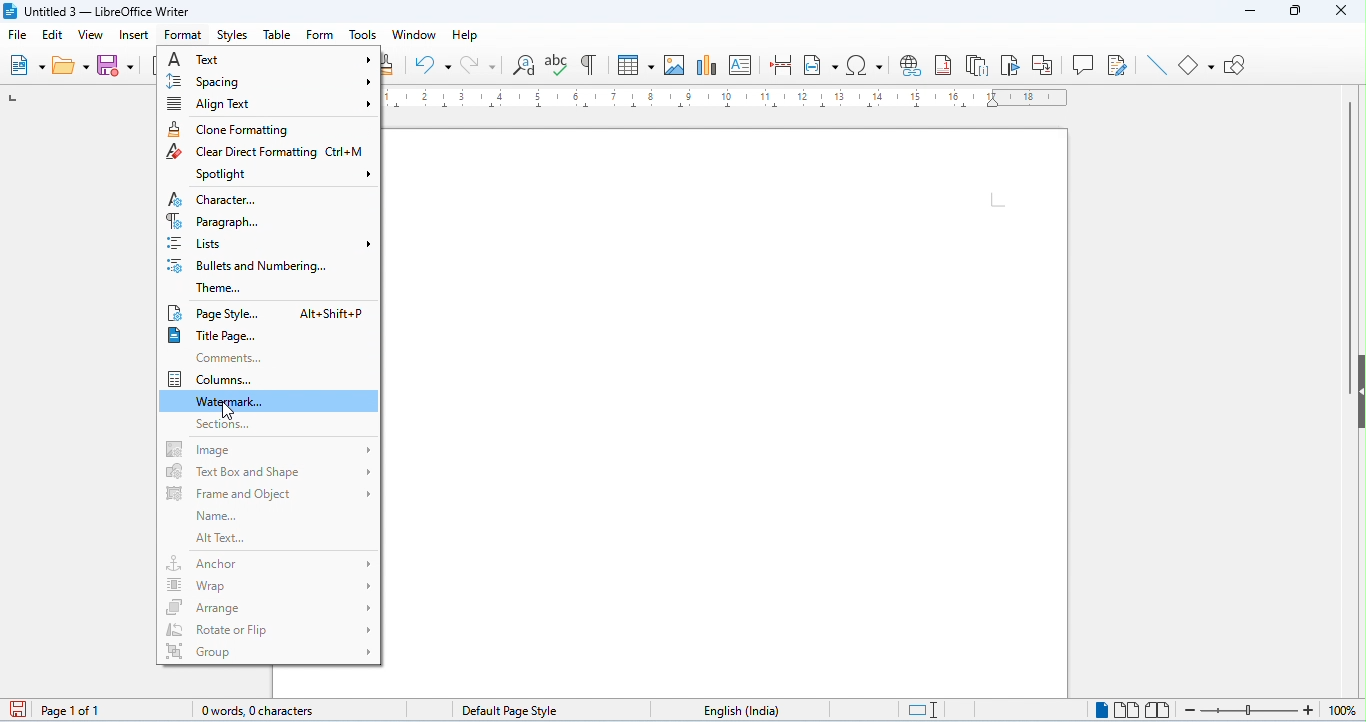 The width and height of the screenshot is (1366, 722). What do you see at coordinates (320, 36) in the screenshot?
I see `form` at bounding box center [320, 36].